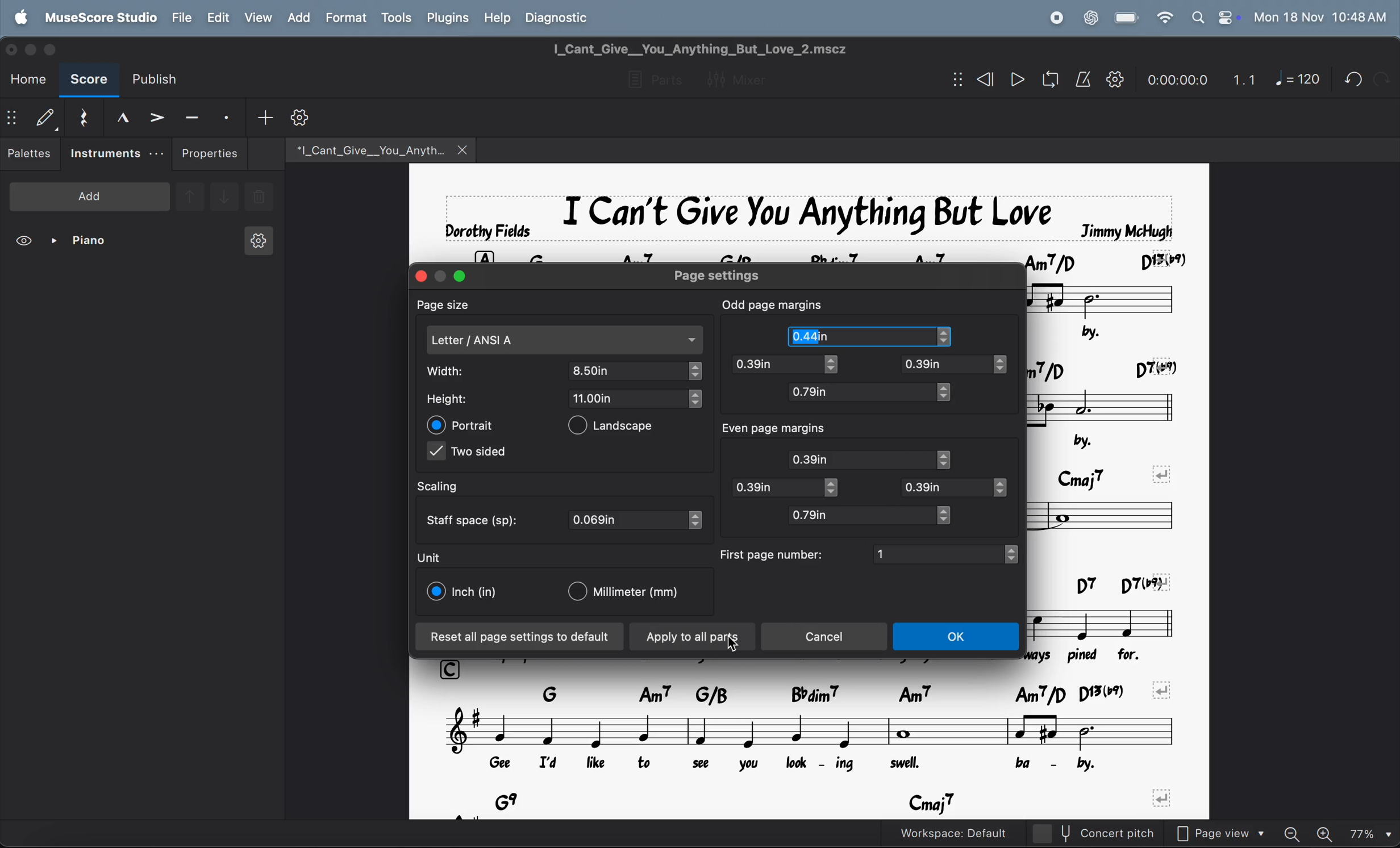  I want to click on 0.44 in, so click(809, 336).